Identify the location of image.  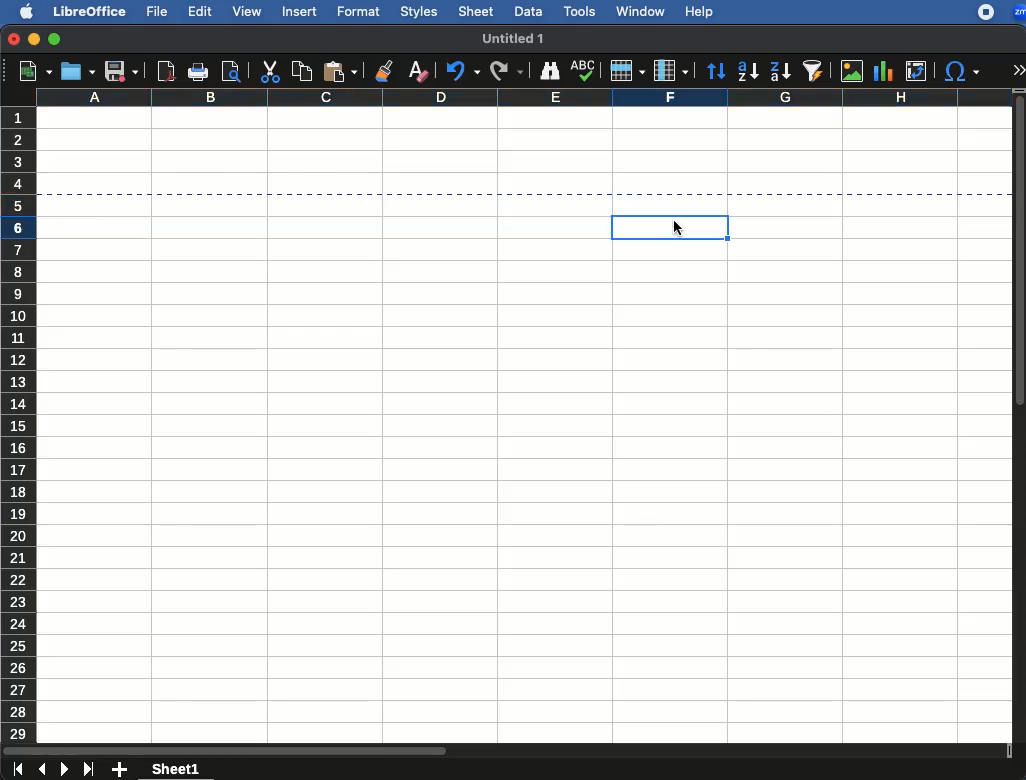
(852, 71).